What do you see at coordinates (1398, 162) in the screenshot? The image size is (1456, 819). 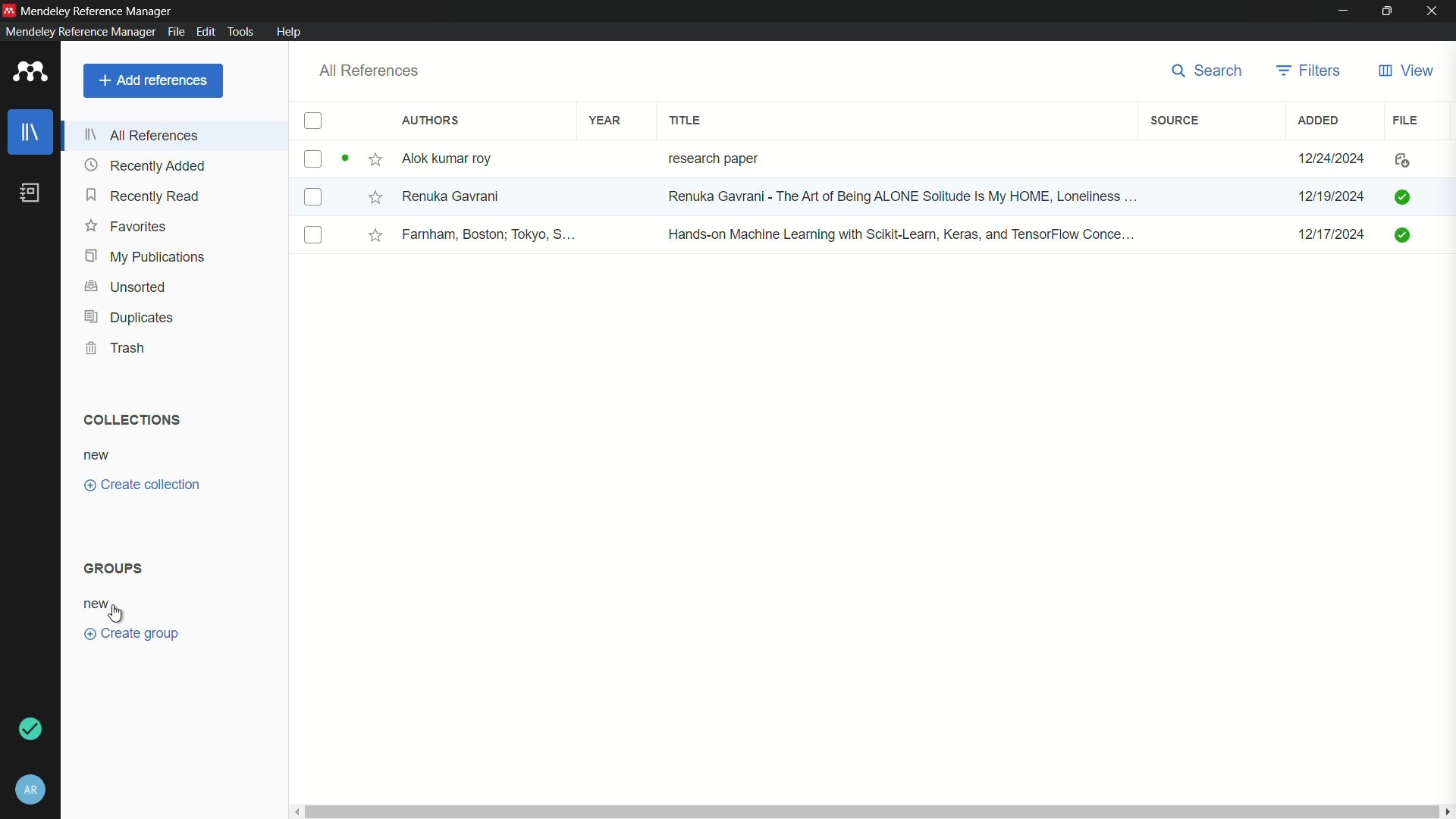 I see `download` at bounding box center [1398, 162].